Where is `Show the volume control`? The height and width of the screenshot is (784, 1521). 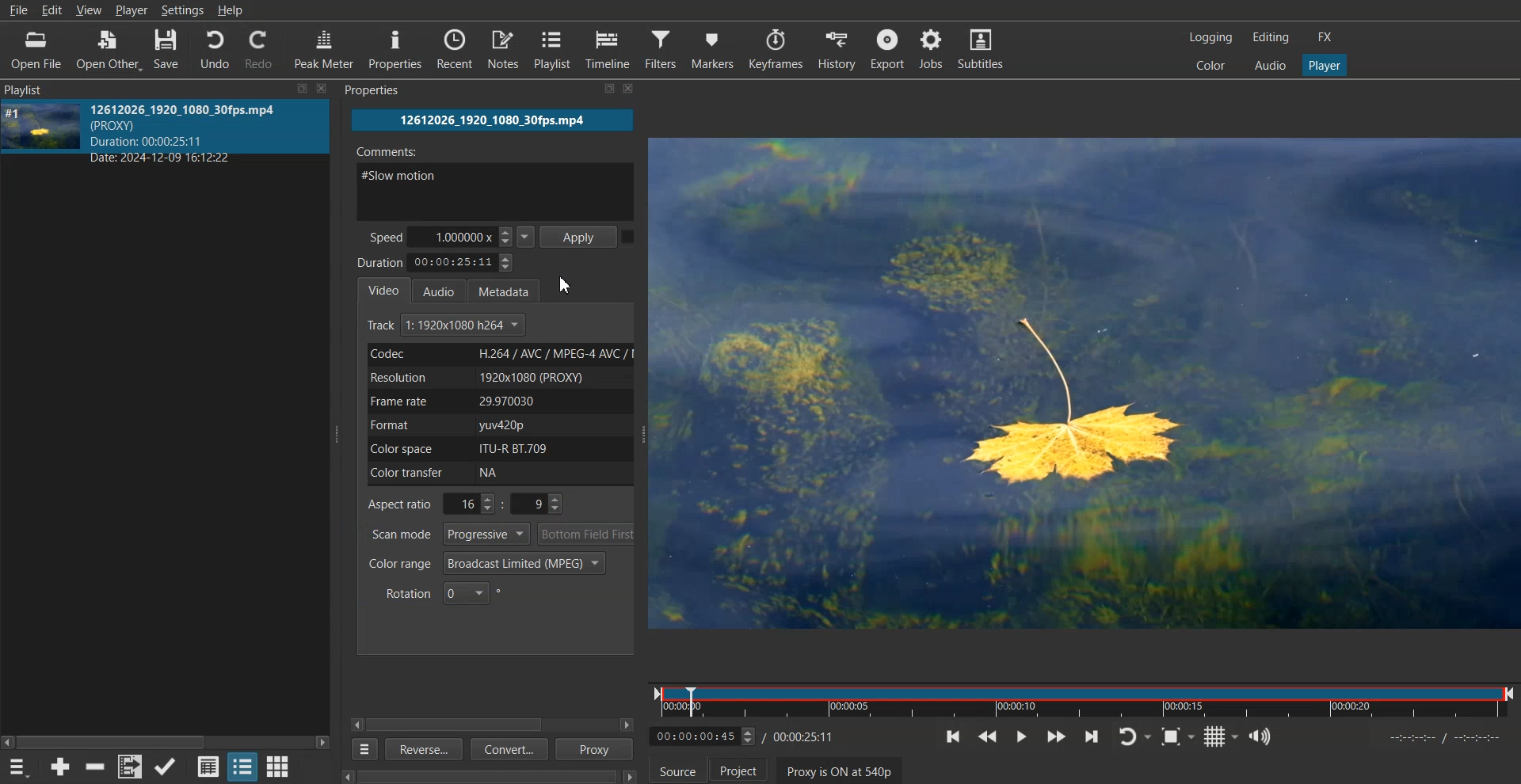 Show the volume control is located at coordinates (1260, 736).